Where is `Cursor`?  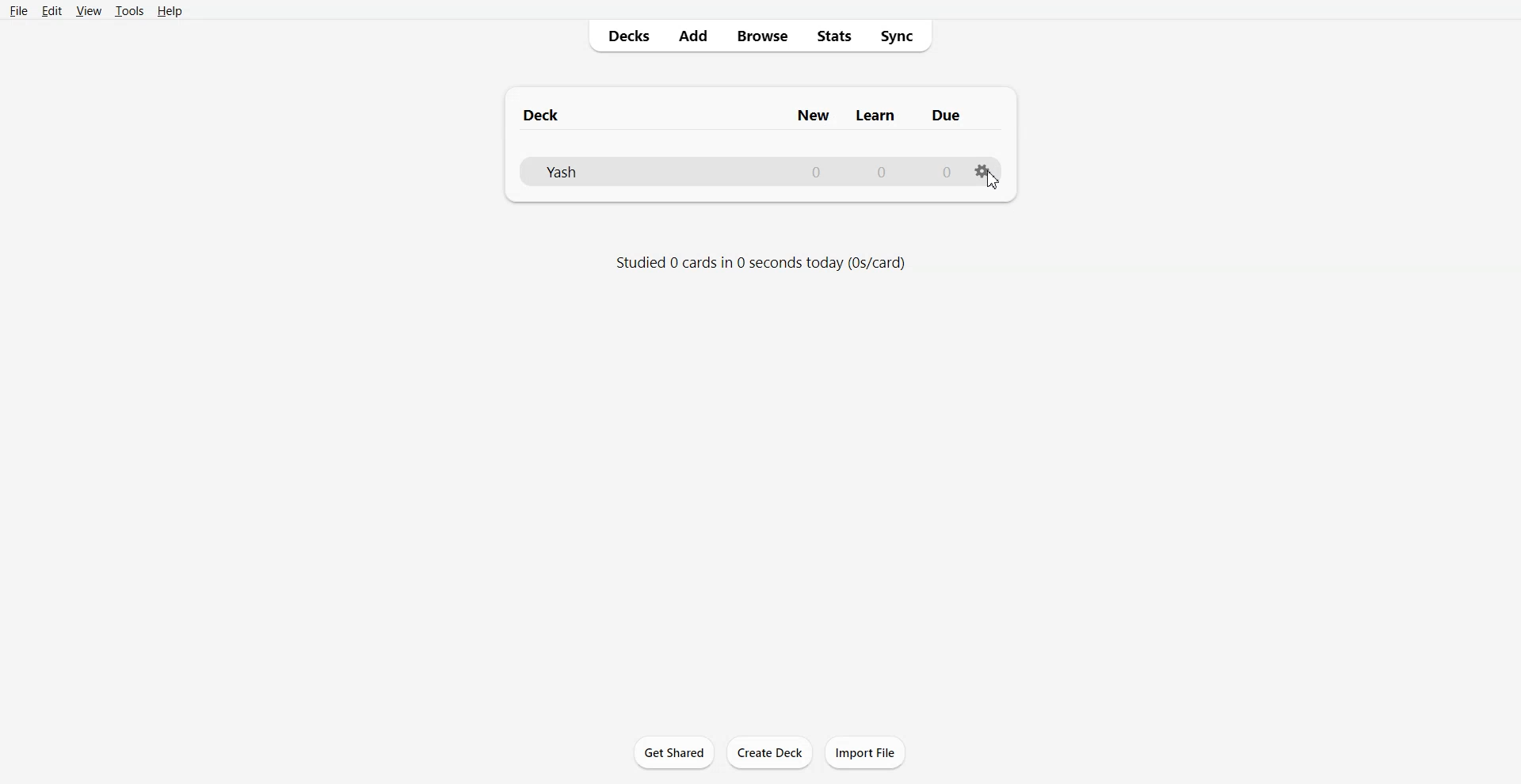
Cursor is located at coordinates (993, 179).